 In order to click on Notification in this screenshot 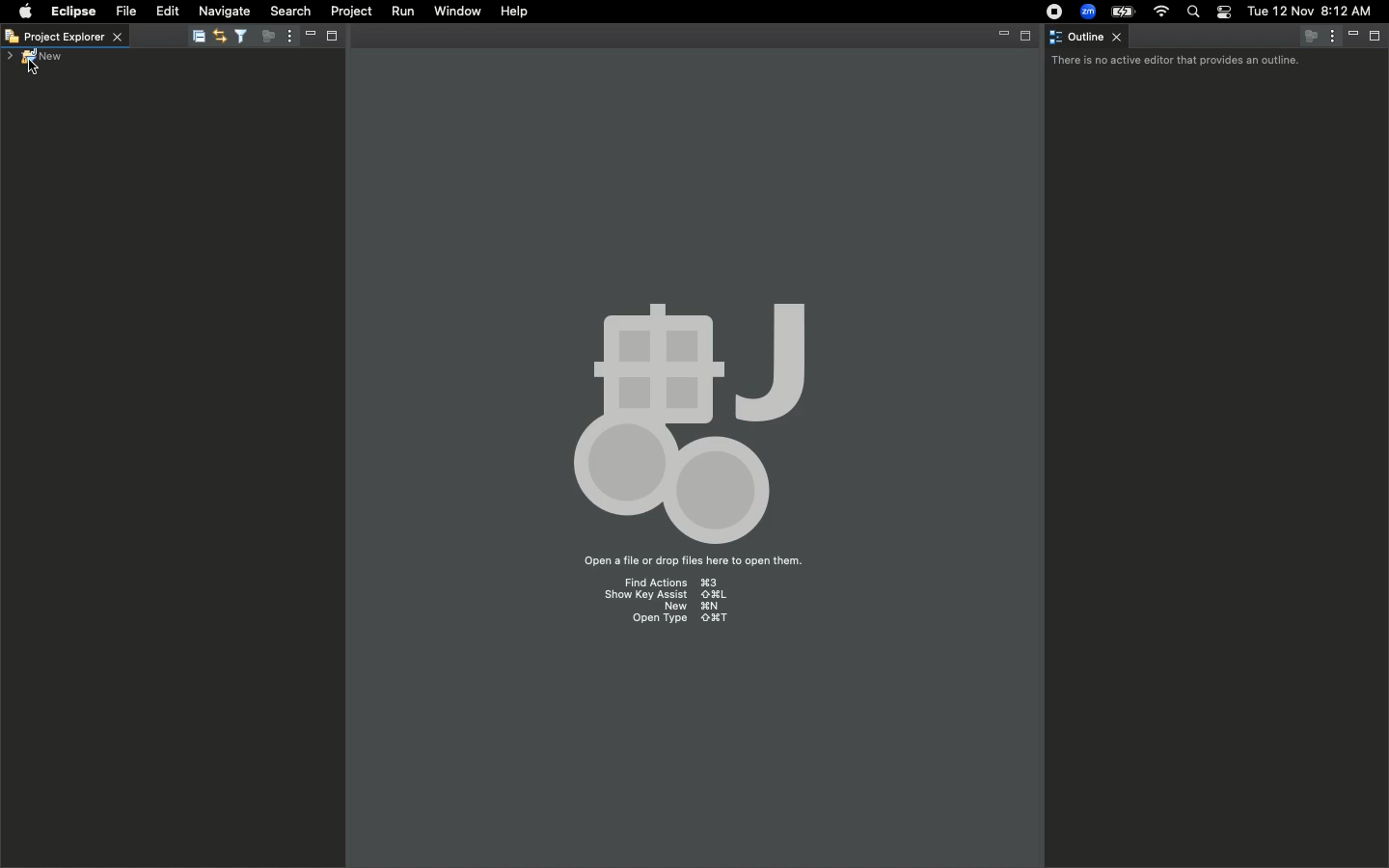, I will do `click(1223, 13)`.